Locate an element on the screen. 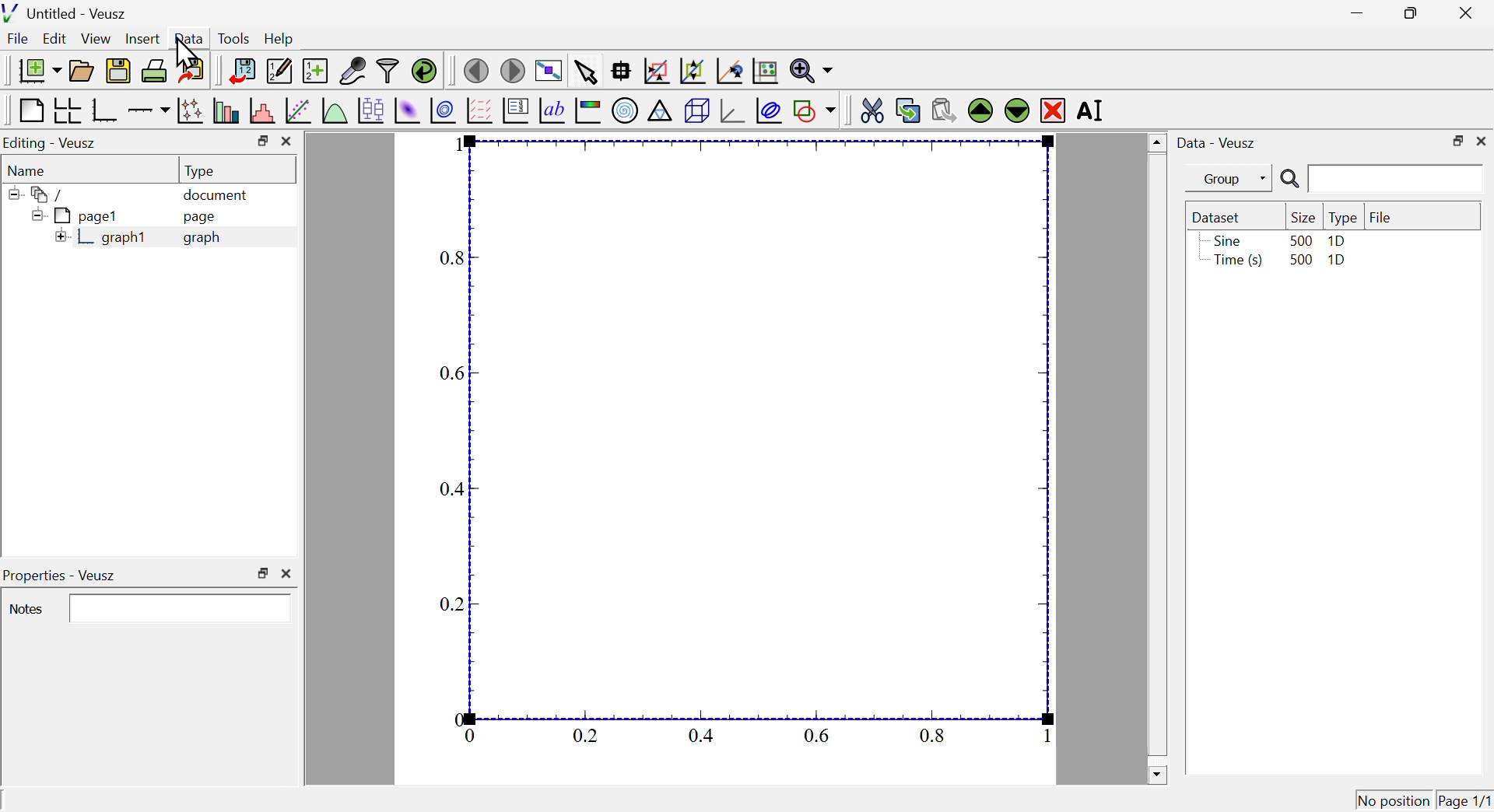 This screenshot has height=812, width=1494. 3d graph is located at coordinates (732, 111).